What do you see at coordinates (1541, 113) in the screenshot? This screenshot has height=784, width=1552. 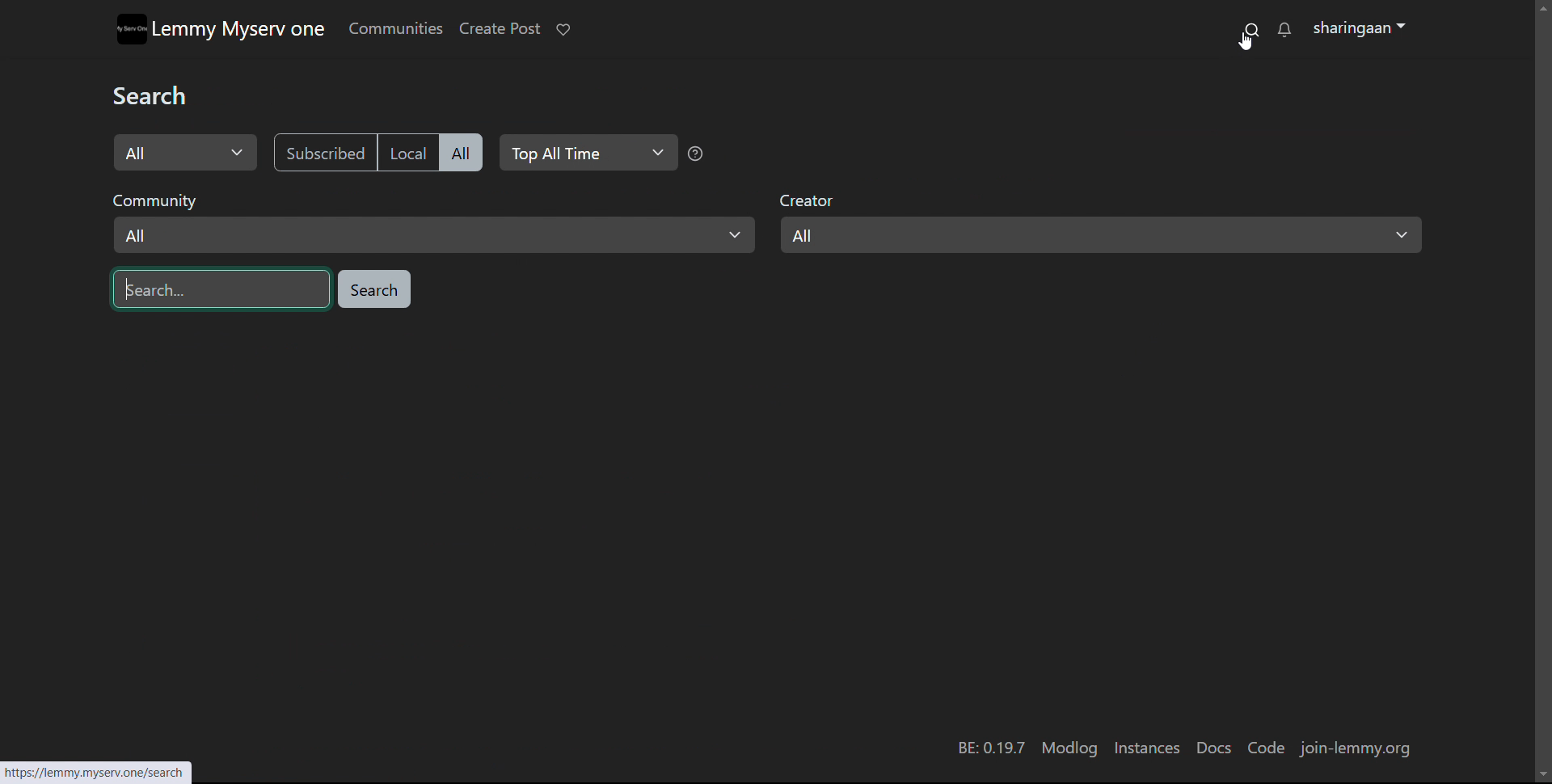 I see `scrollbar` at bounding box center [1541, 113].